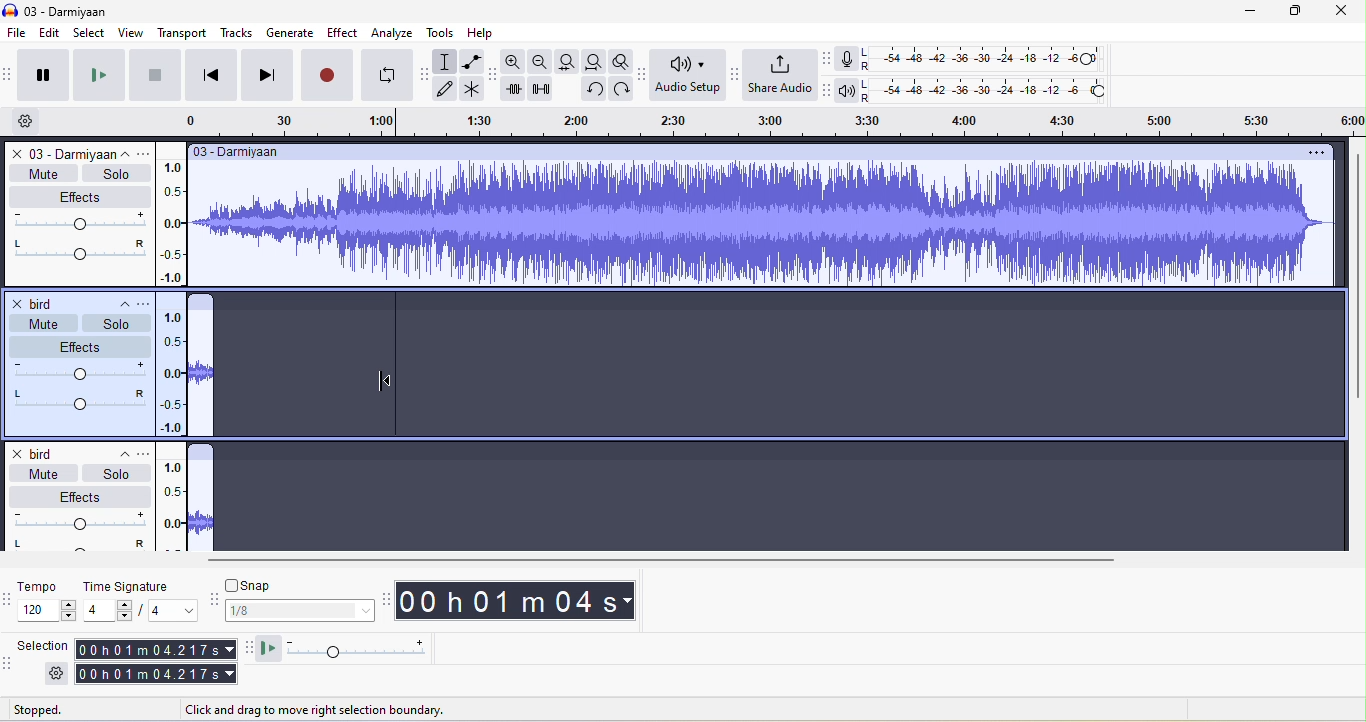 This screenshot has height=722, width=1366. I want to click on effect, so click(80, 346).